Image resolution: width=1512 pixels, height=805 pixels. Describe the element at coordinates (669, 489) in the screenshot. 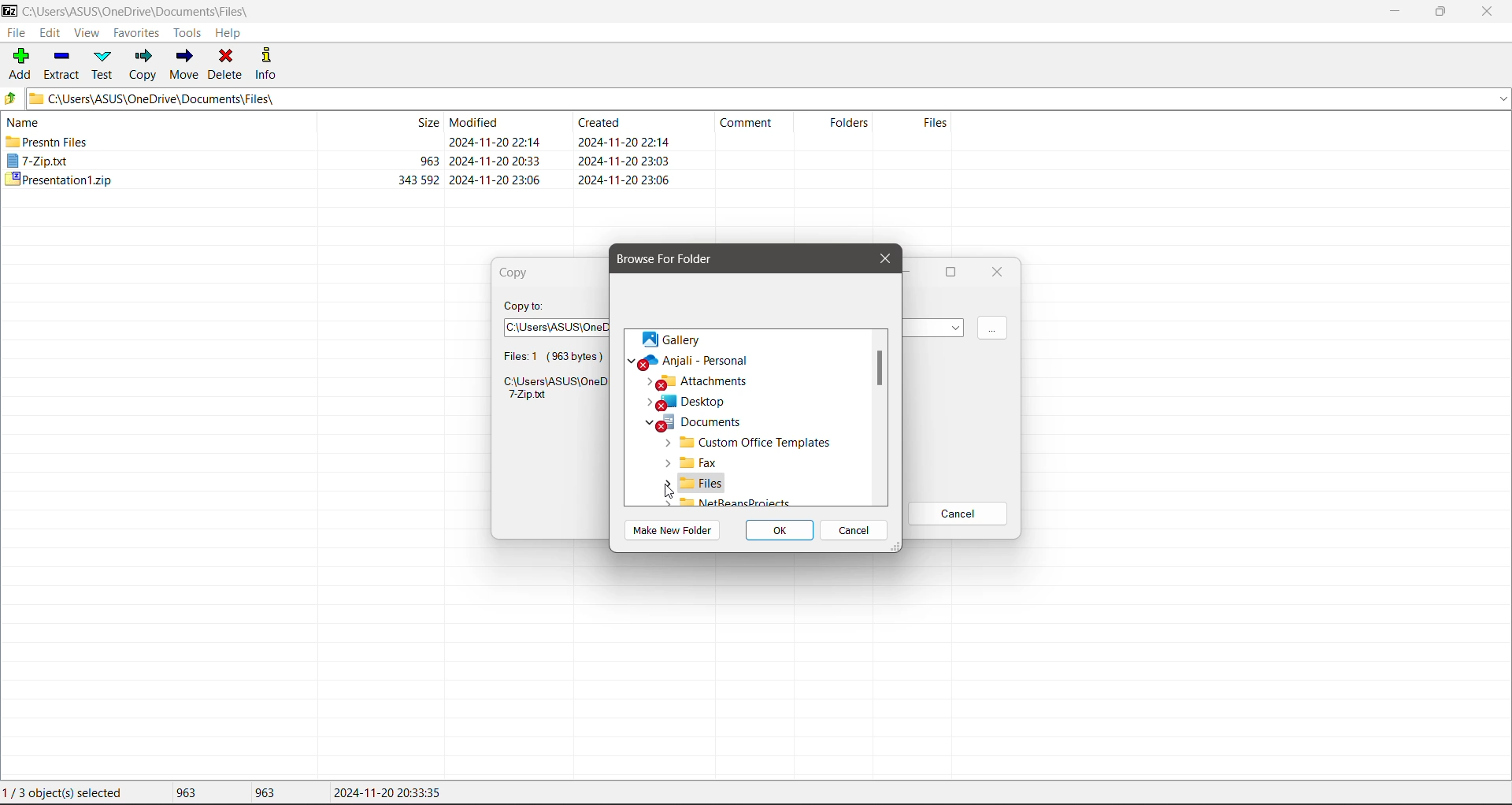

I see `cursor` at that location.